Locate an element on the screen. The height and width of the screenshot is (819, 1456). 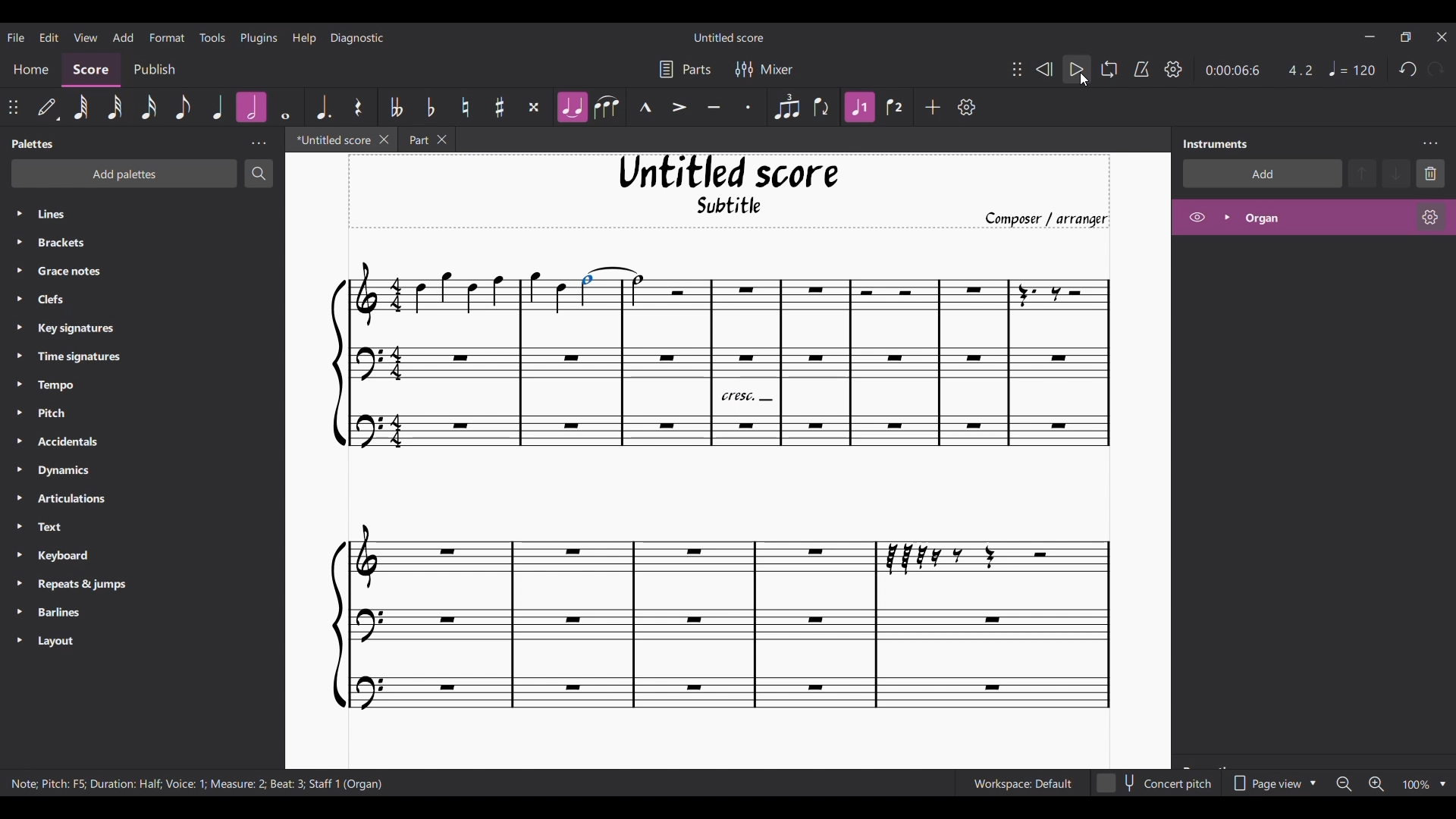
8th note is located at coordinates (183, 106).